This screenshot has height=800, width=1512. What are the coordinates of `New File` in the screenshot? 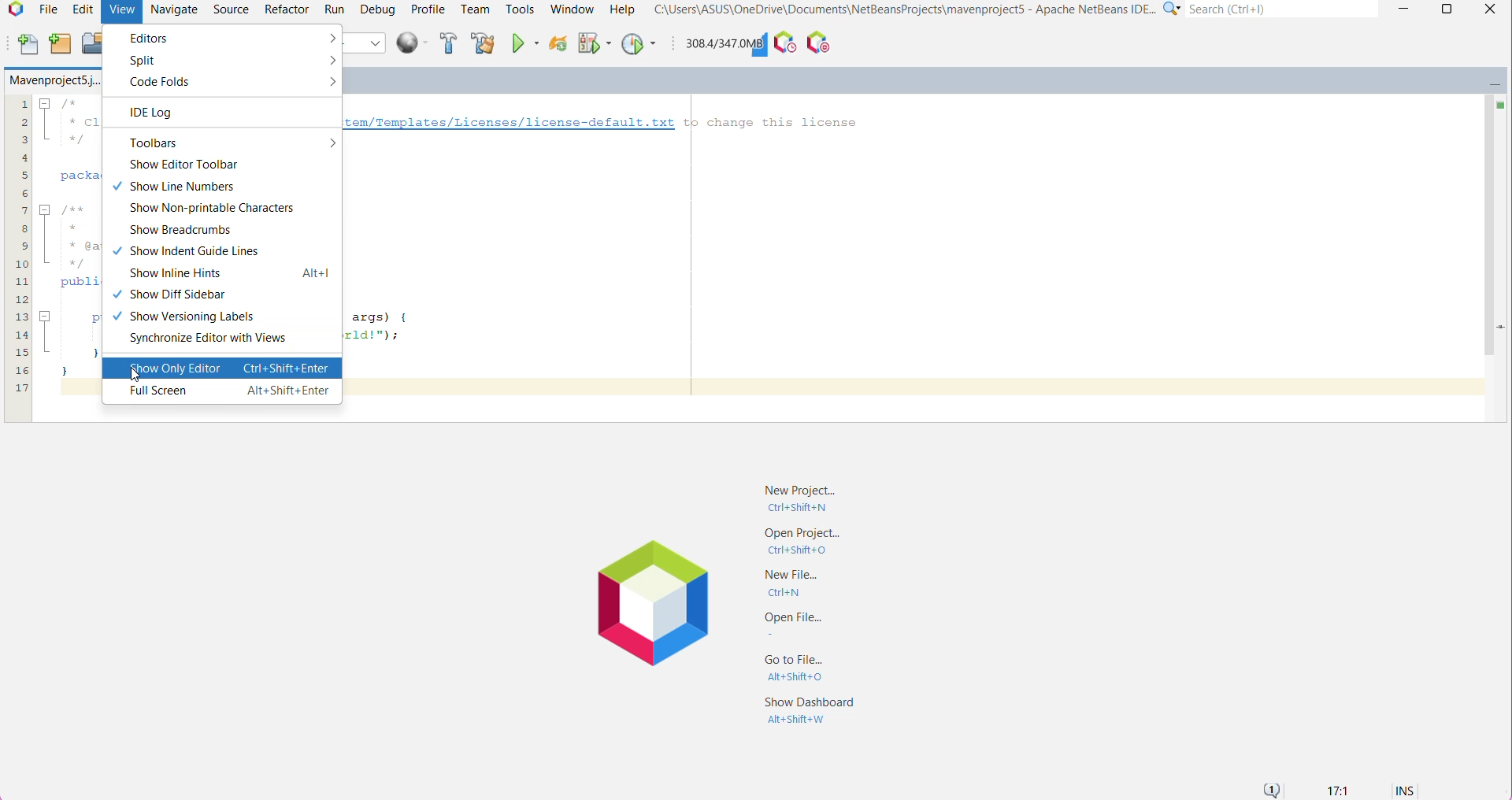 It's located at (791, 583).